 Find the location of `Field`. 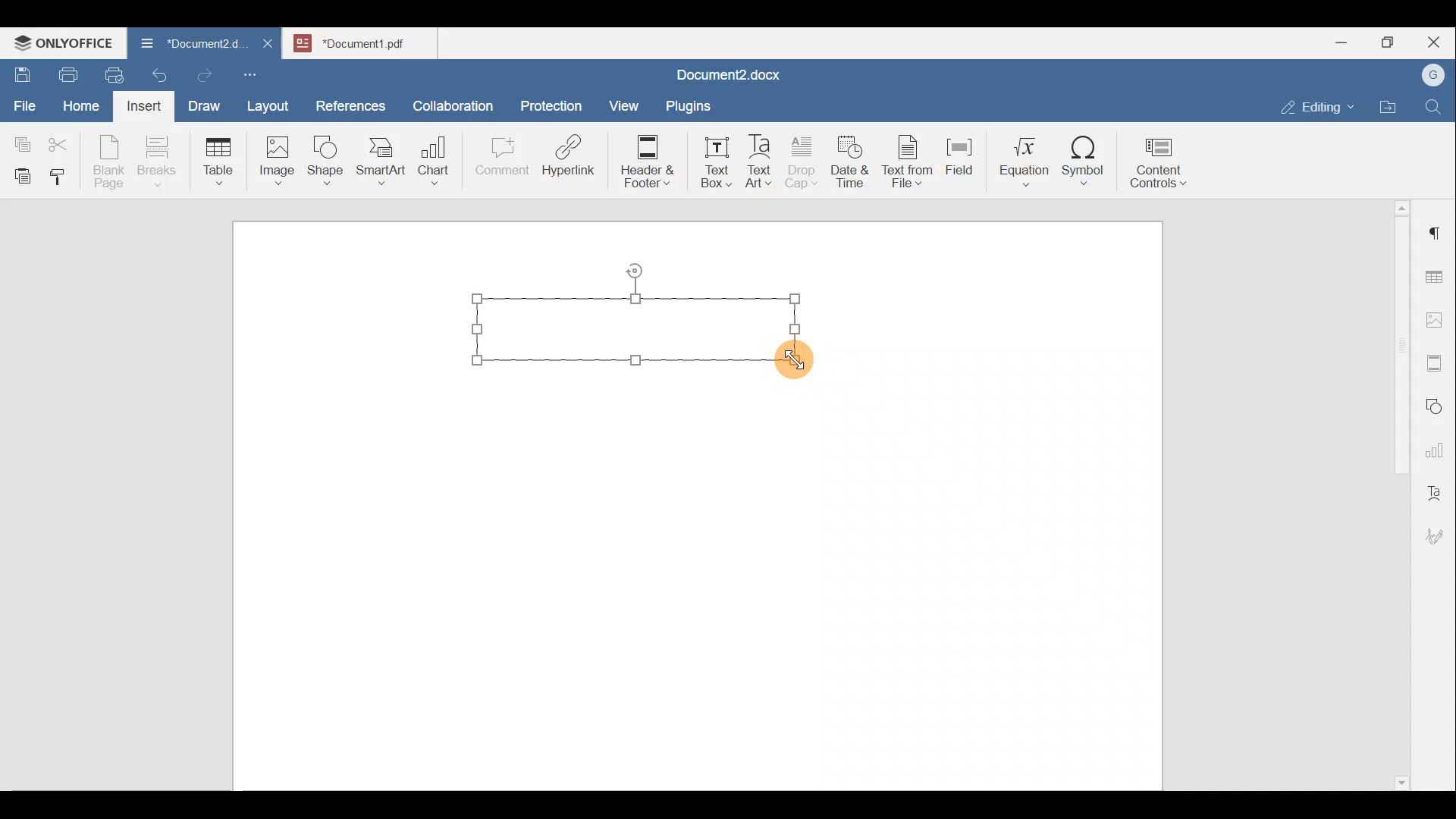

Field is located at coordinates (959, 154).